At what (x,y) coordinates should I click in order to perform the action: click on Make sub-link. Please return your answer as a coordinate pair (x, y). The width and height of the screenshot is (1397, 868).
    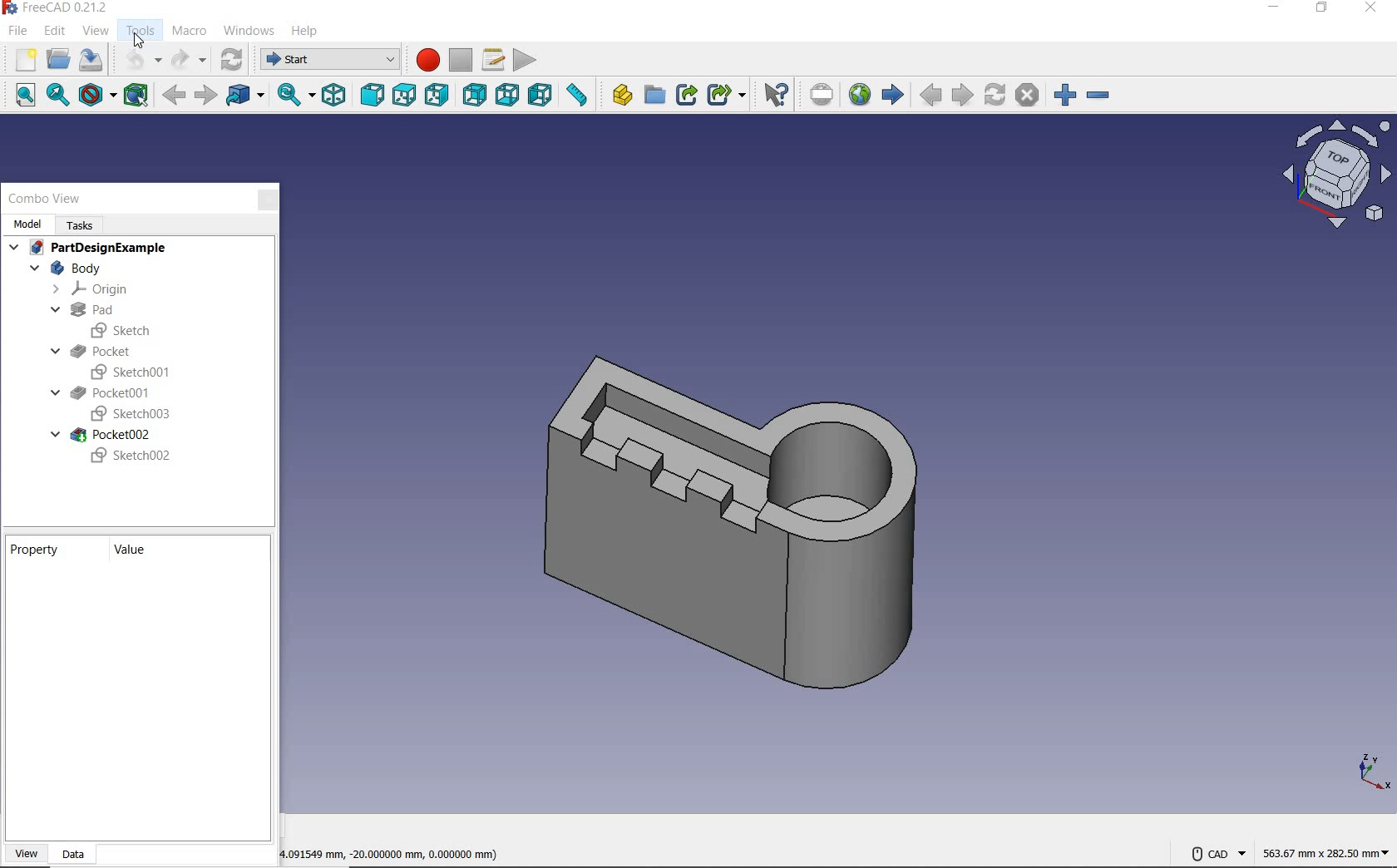
    Looking at the image, I should click on (725, 96).